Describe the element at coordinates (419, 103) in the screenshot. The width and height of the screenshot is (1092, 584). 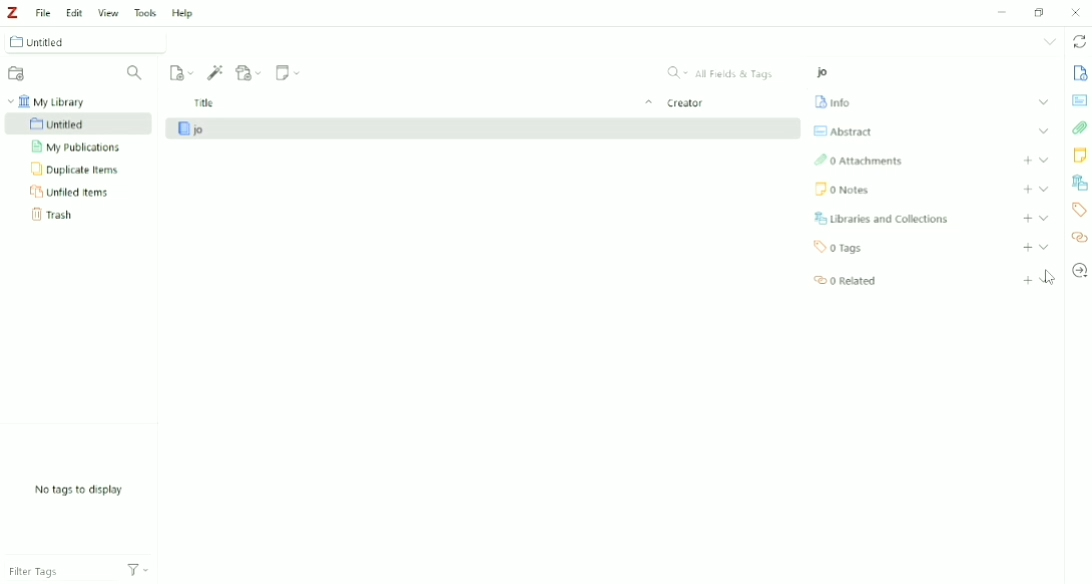
I see `Title` at that location.